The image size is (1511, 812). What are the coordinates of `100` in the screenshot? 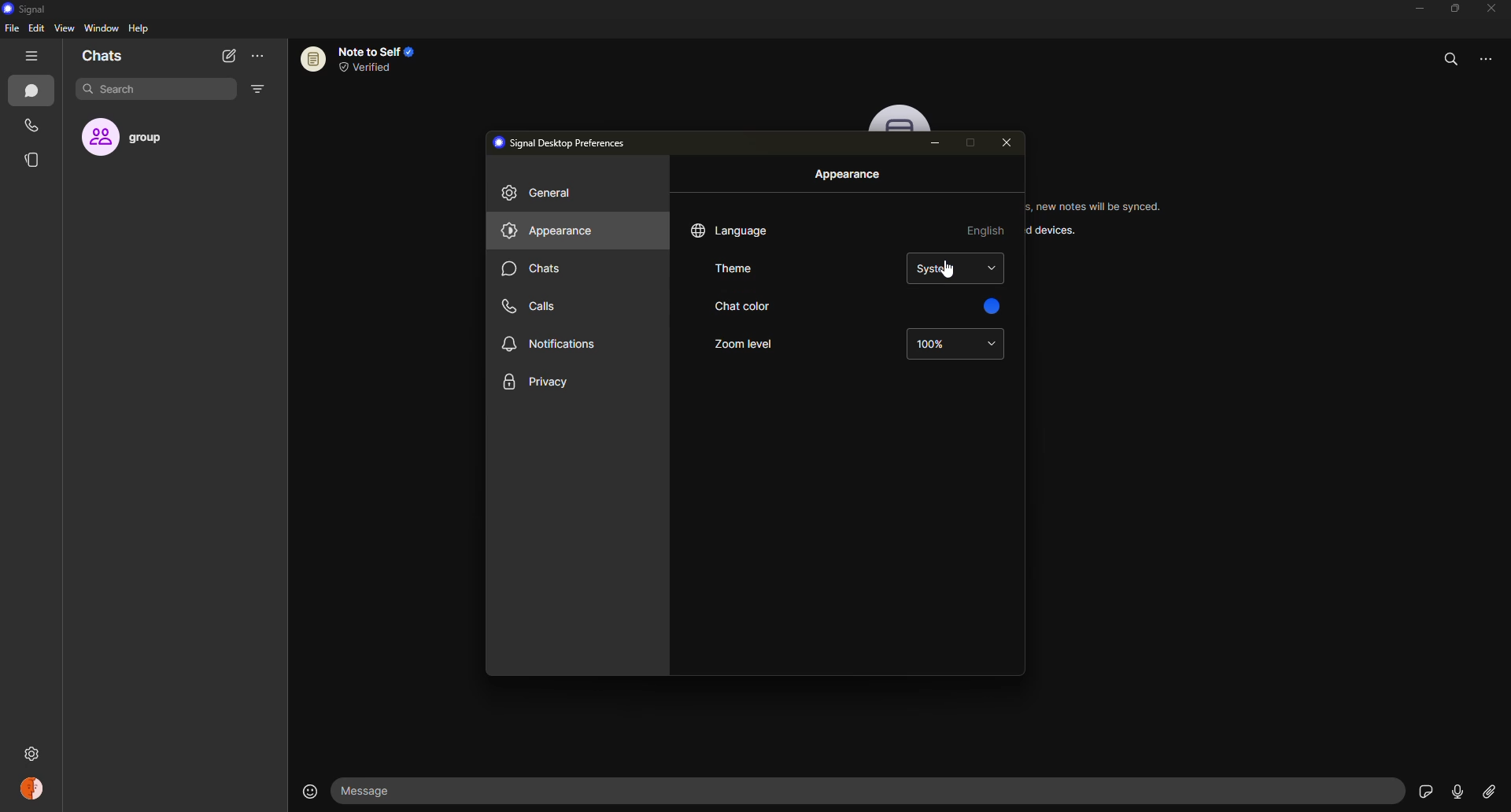 It's located at (932, 344).